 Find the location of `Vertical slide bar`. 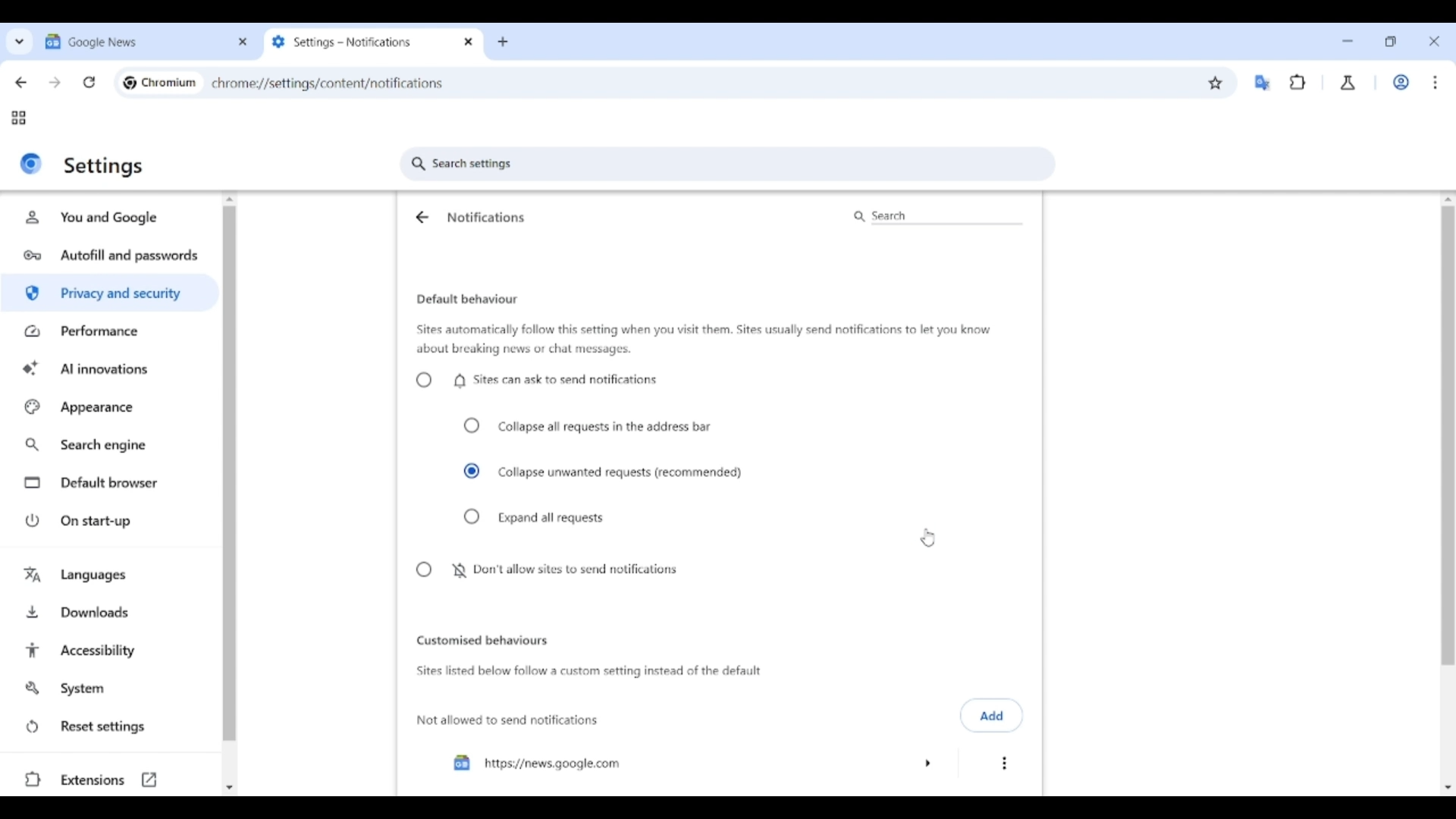

Vertical slide bar is located at coordinates (229, 474).